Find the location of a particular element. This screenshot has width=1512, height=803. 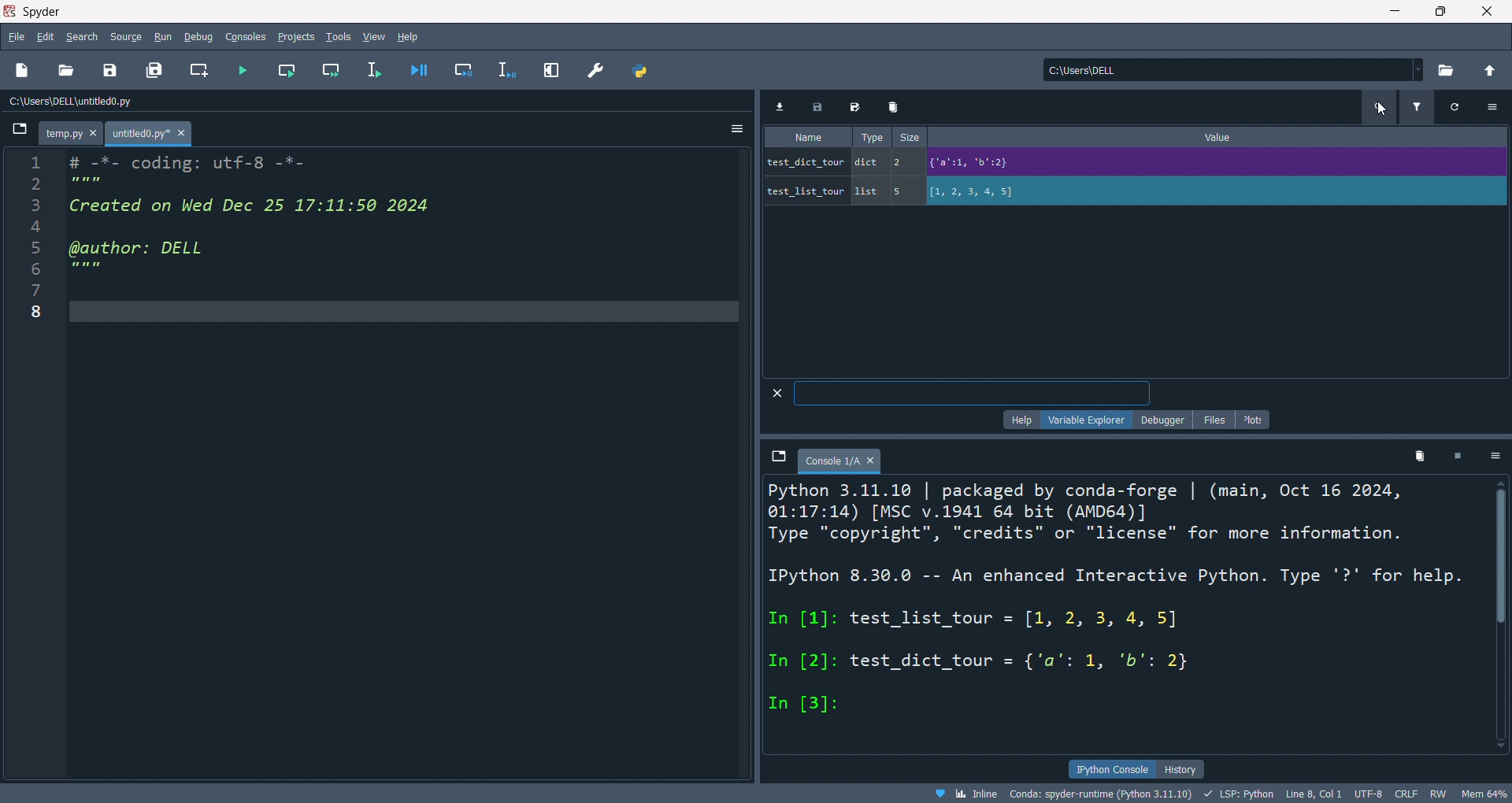

close variable search is located at coordinates (773, 392).